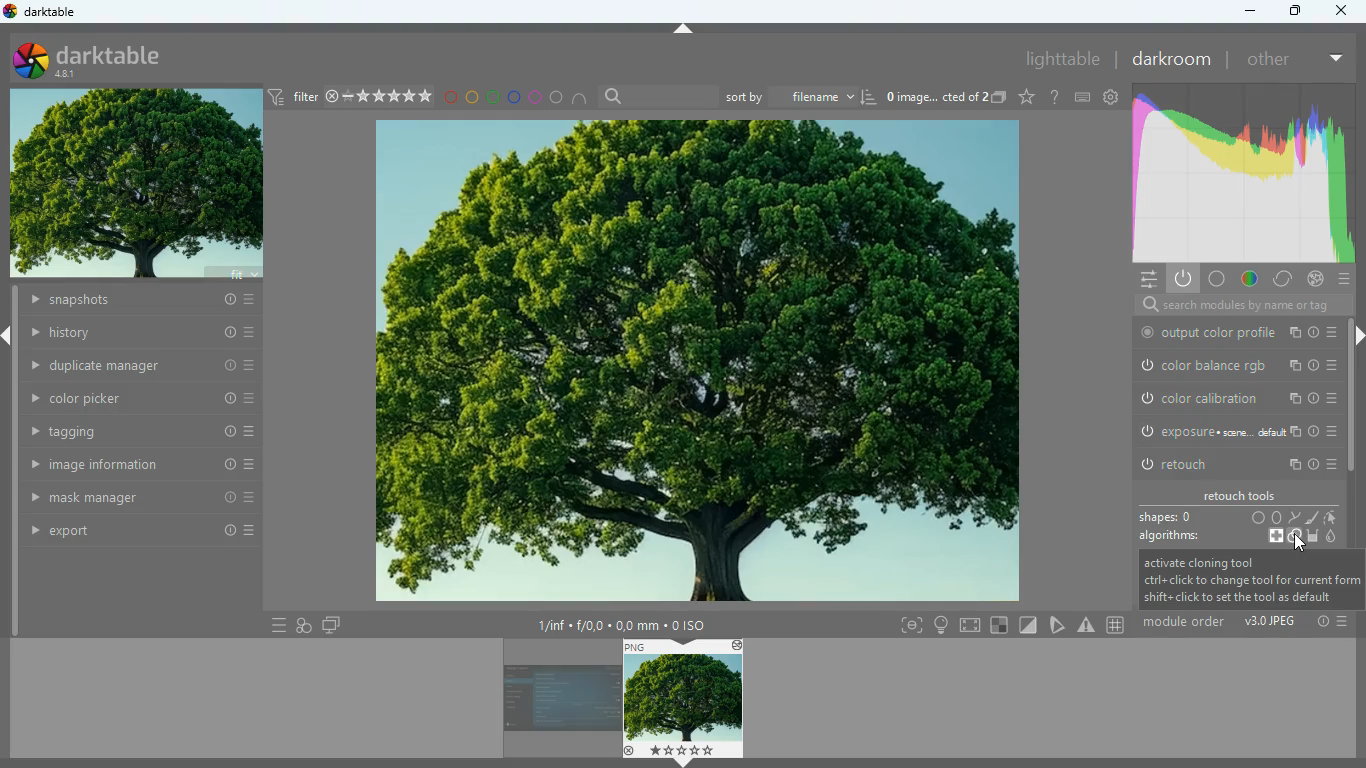 The width and height of the screenshot is (1366, 768). What do you see at coordinates (1294, 11) in the screenshot?
I see `maximize` at bounding box center [1294, 11].